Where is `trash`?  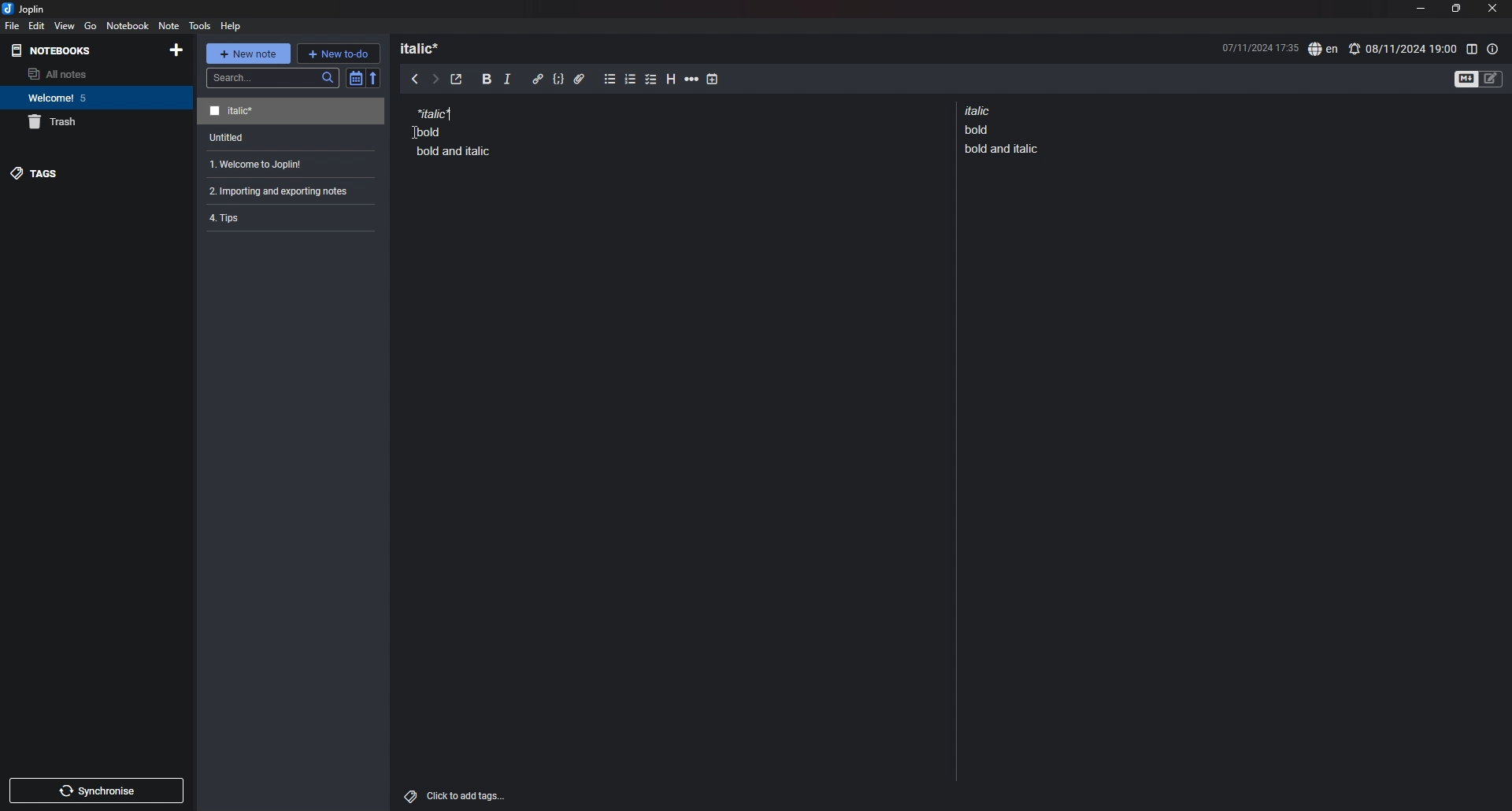 trash is located at coordinates (97, 122).